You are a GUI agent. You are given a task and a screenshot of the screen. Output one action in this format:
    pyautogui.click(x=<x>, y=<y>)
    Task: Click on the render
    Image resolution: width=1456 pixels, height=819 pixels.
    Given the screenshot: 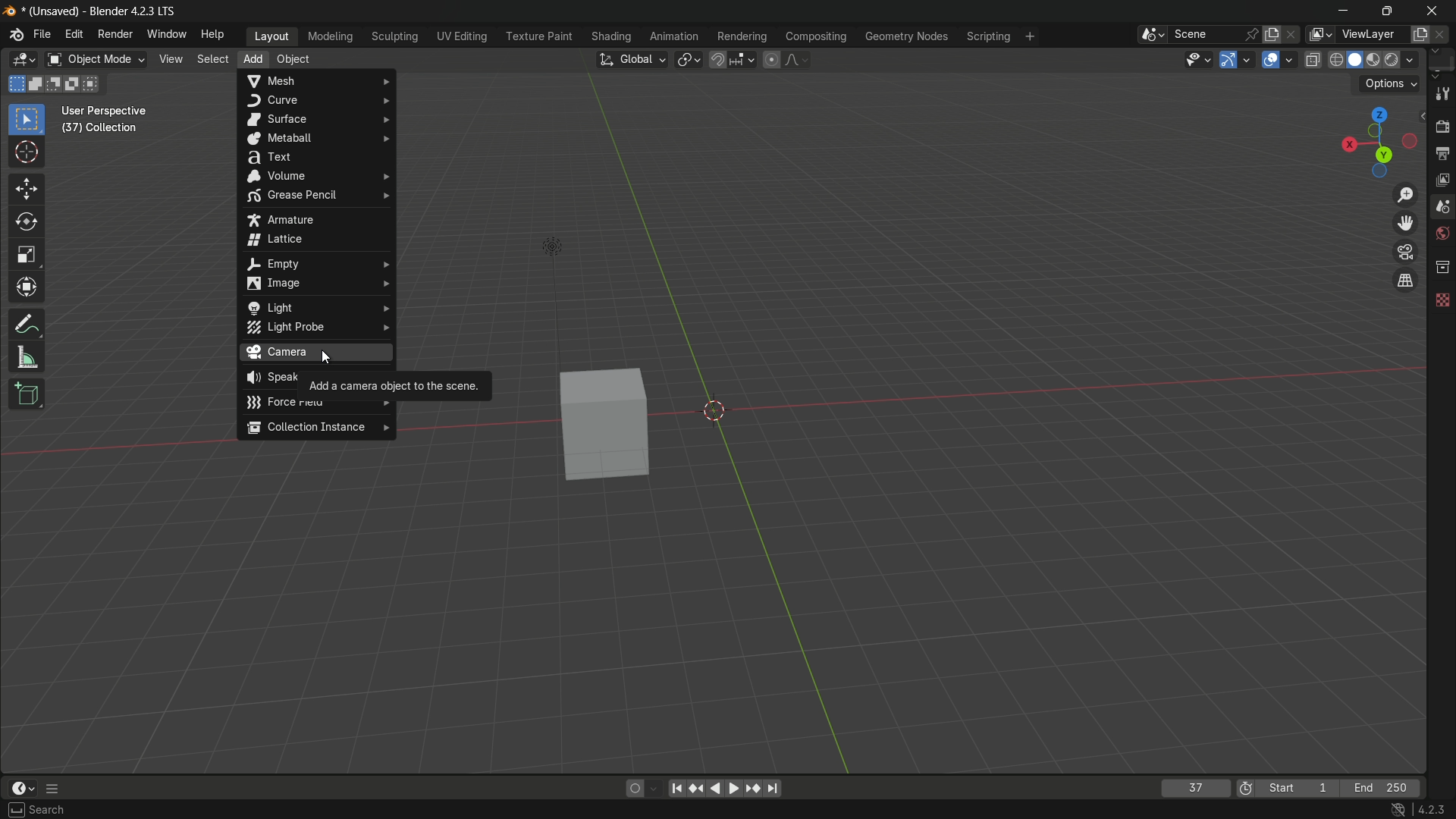 What is the action you would take?
    pyautogui.click(x=1442, y=123)
    